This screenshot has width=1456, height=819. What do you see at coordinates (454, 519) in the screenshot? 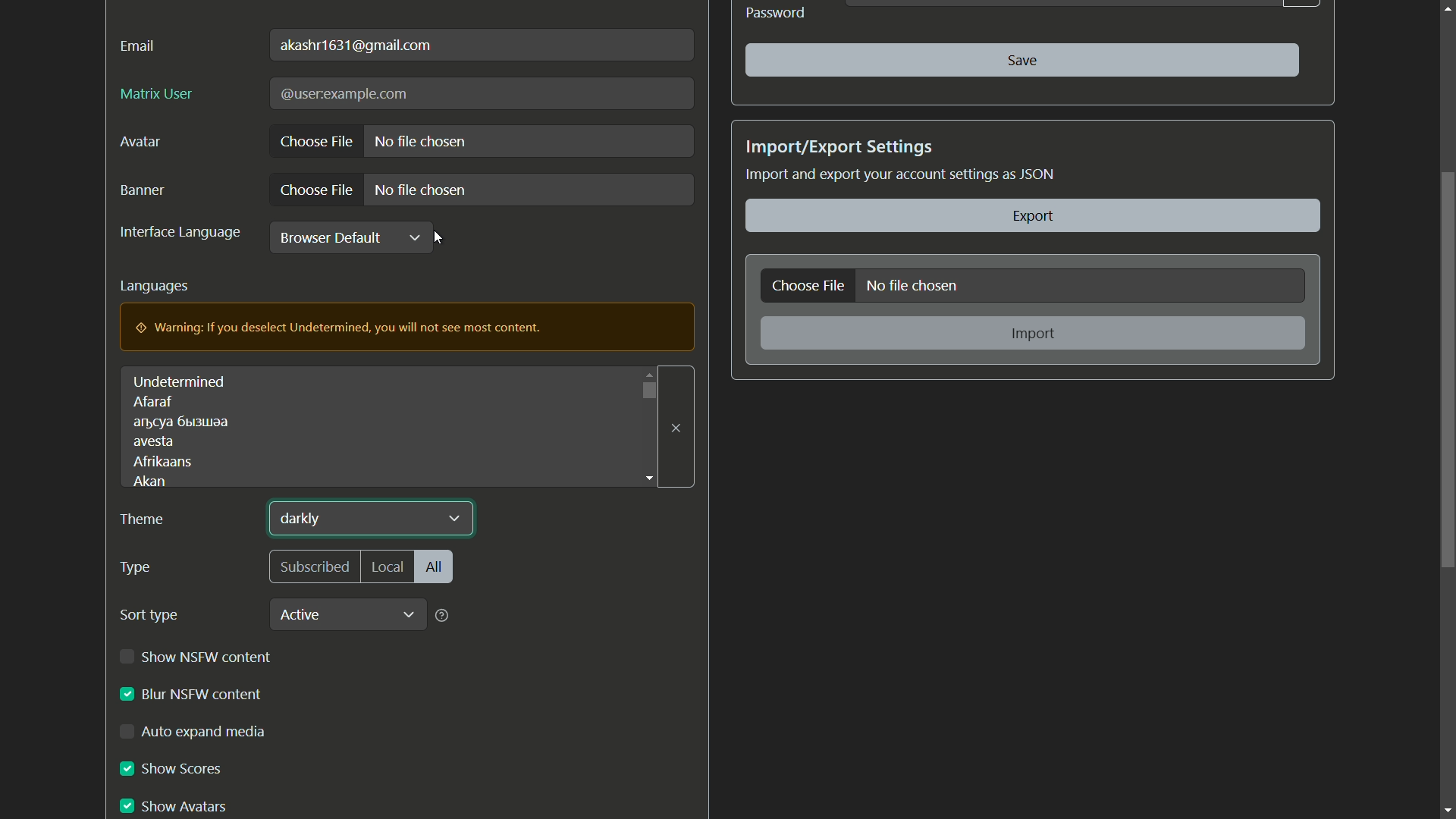
I see `dropdown` at bounding box center [454, 519].